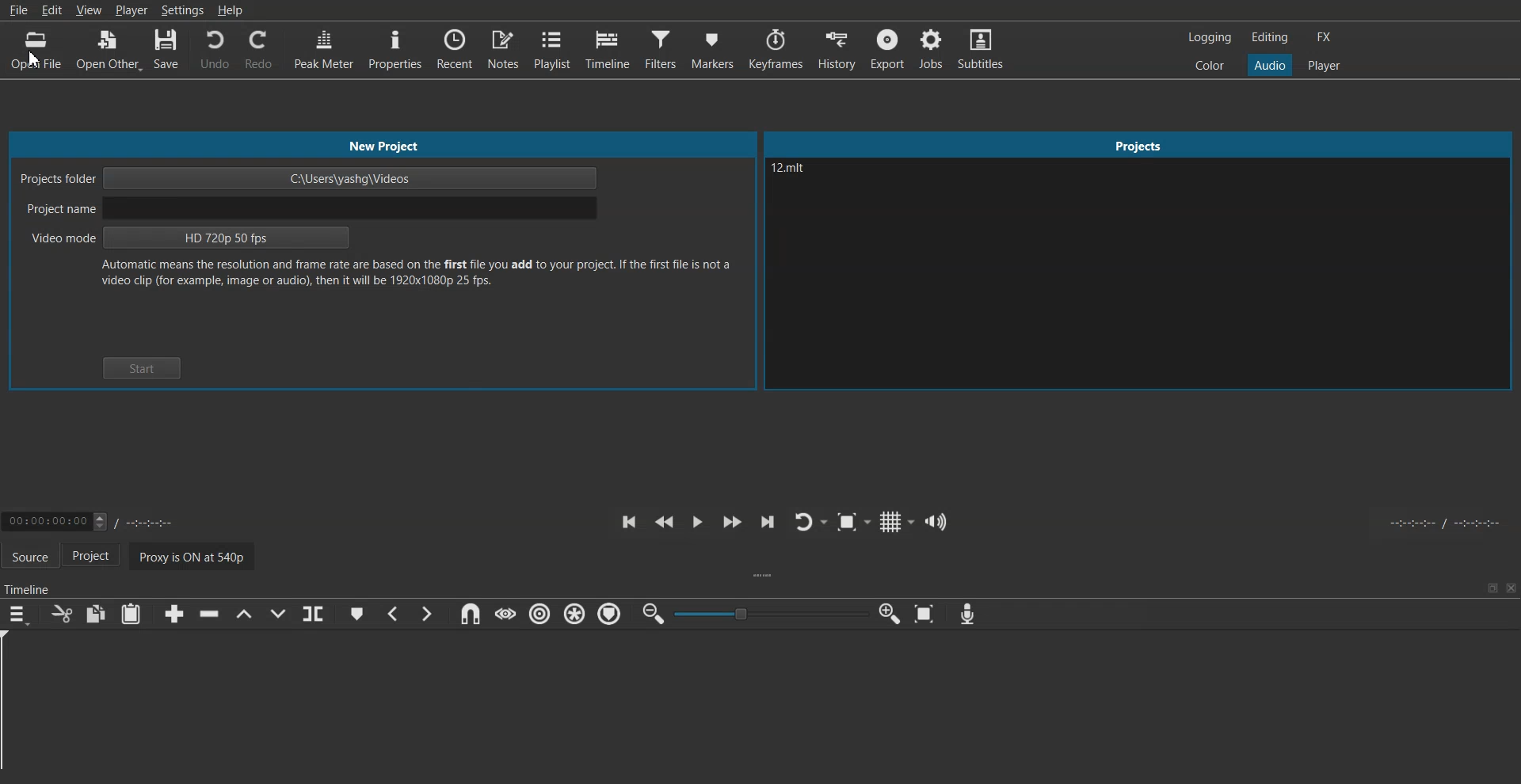 The image size is (1521, 784). Describe the element at coordinates (183, 10) in the screenshot. I see `Settings` at that location.